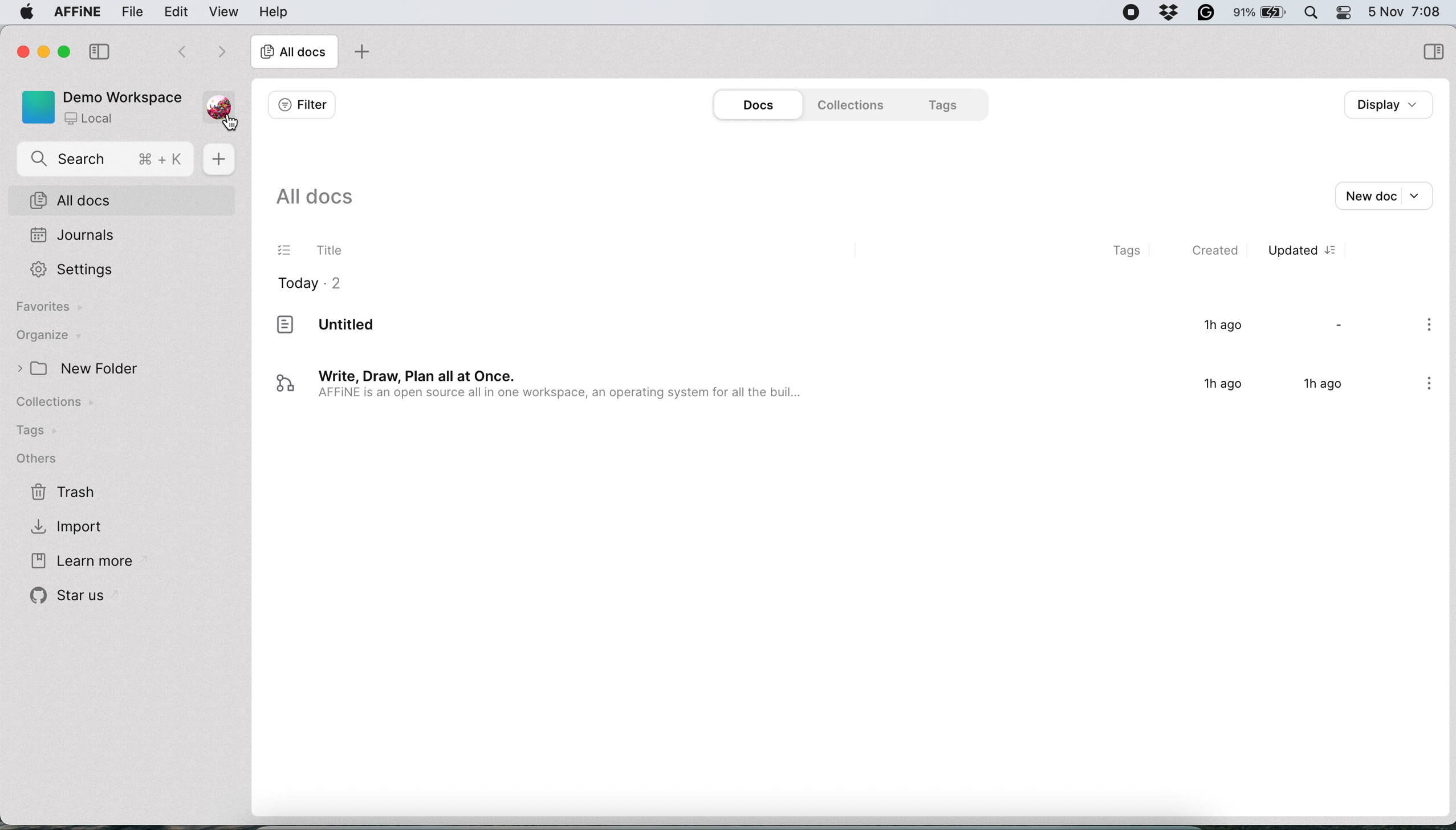 This screenshot has height=830, width=1456. What do you see at coordinates (219, 160) in the screenshot?
I see `new doc` at bounding box center [219, 160].